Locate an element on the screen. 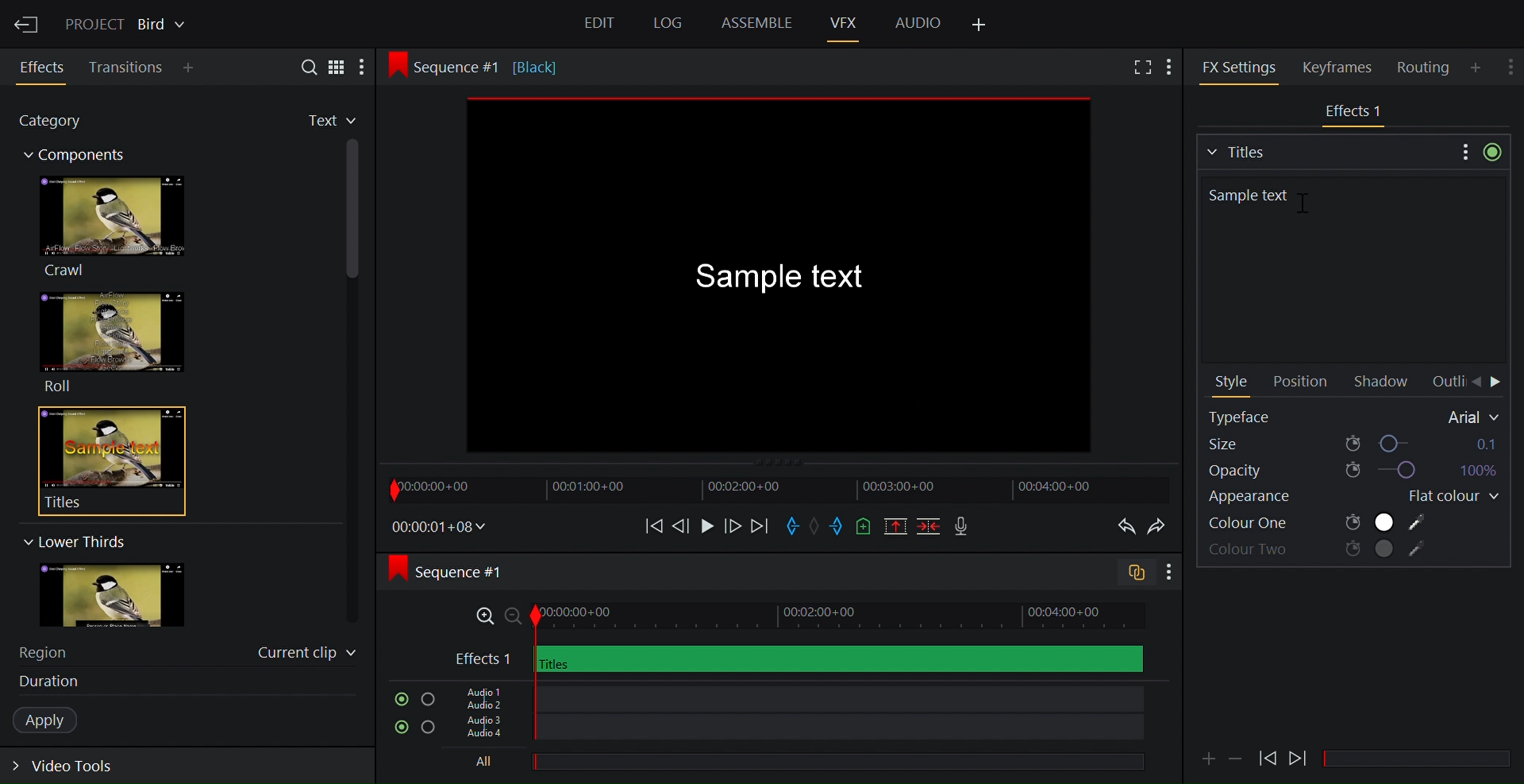  Video Track Effects is located at coordinates (799, 659).